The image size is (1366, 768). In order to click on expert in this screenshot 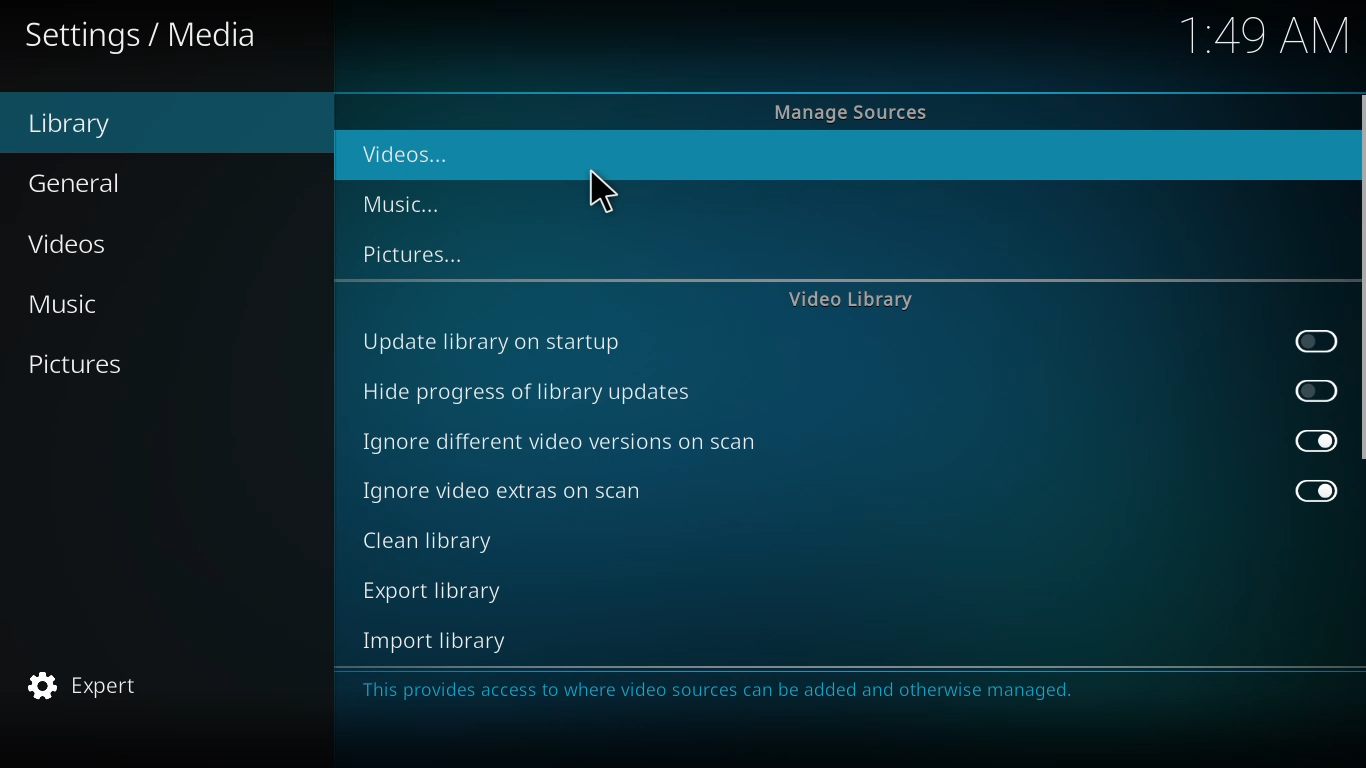, I will do `click(86, 685)`.